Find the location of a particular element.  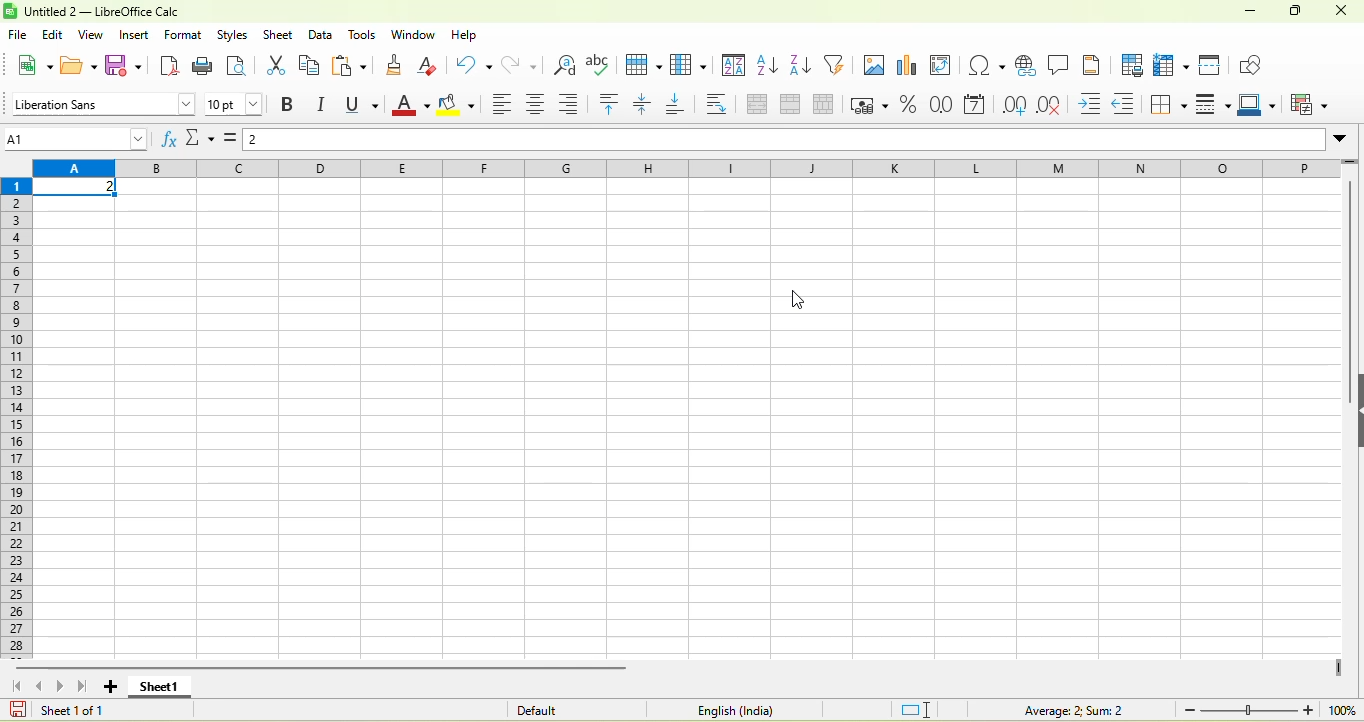

format as currency is located at coordinates (871, 105).